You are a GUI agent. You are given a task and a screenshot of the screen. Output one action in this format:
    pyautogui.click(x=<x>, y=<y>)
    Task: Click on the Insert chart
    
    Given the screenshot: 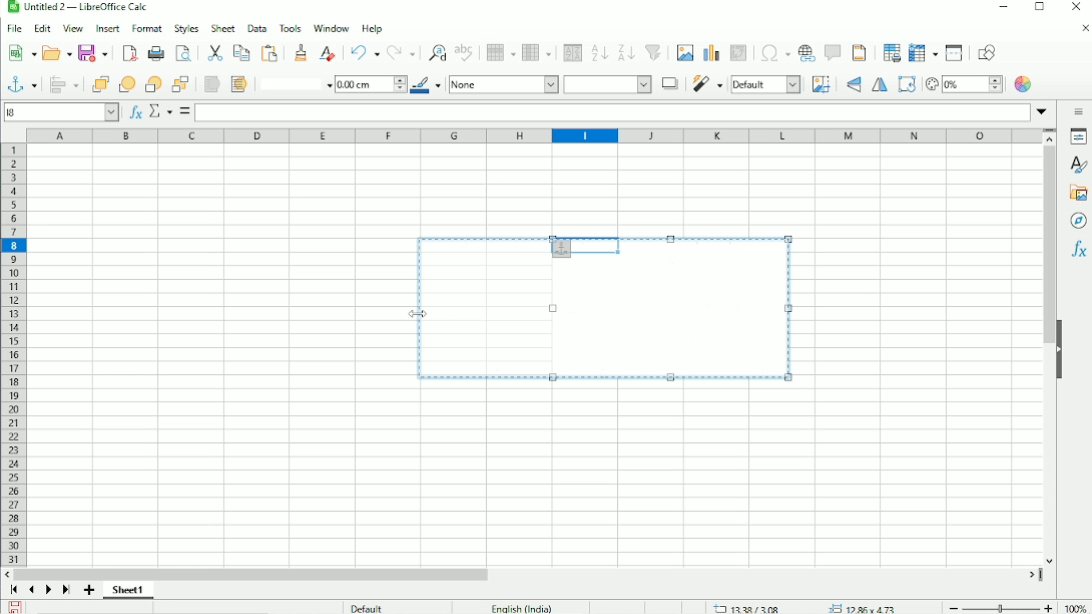 What is the action you would take?
    pyautogui.click(x=710, y=52)
    